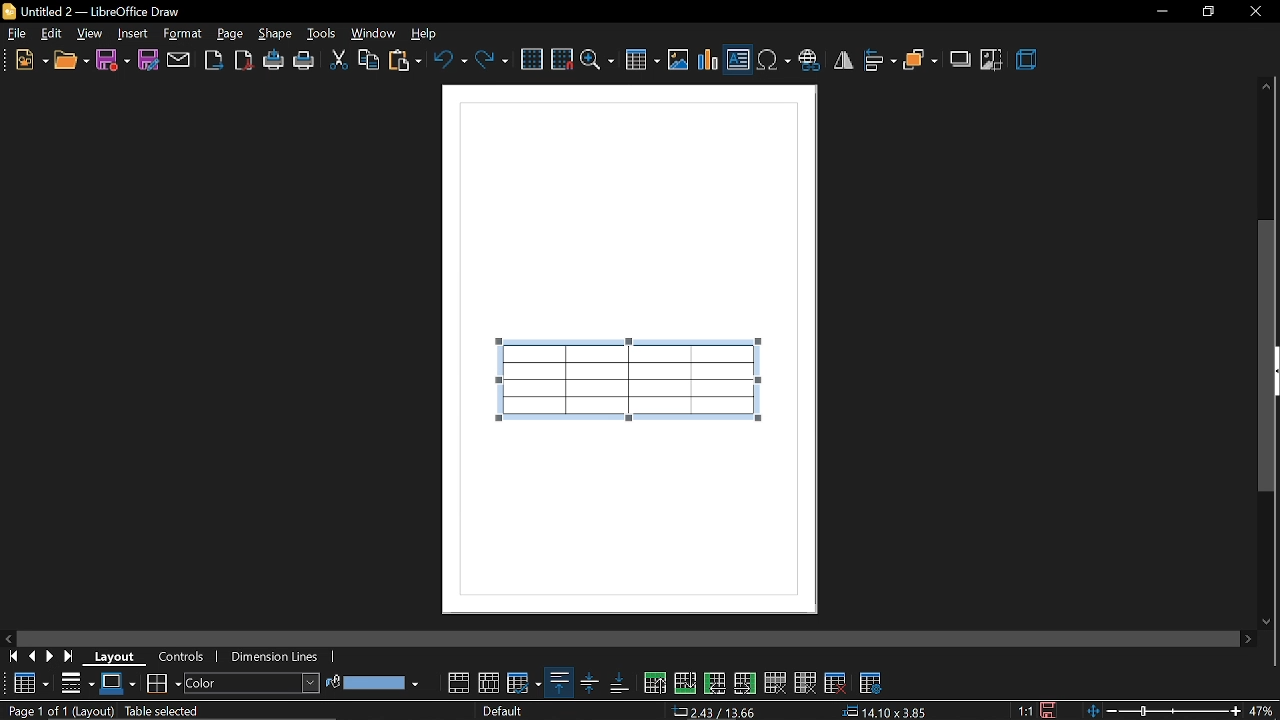 The image size is (1280, 720). Describe the element at coordinates (503, 349) in the screenshot. I see `cursor` at that location.